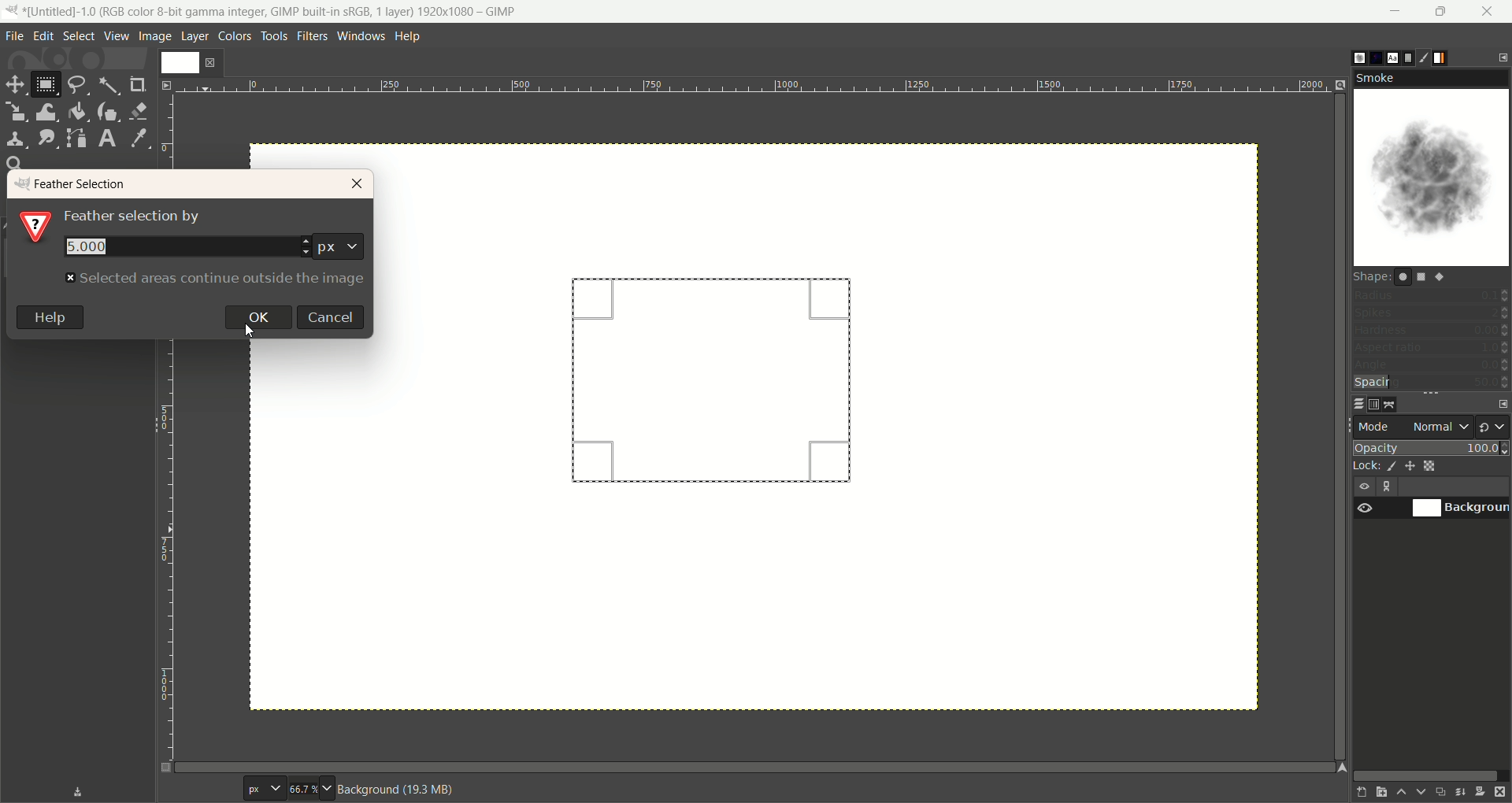  What do you see at coordinates (171, 553) in the screenshot?
I see `scale bar` at bounding box center [171, 553].